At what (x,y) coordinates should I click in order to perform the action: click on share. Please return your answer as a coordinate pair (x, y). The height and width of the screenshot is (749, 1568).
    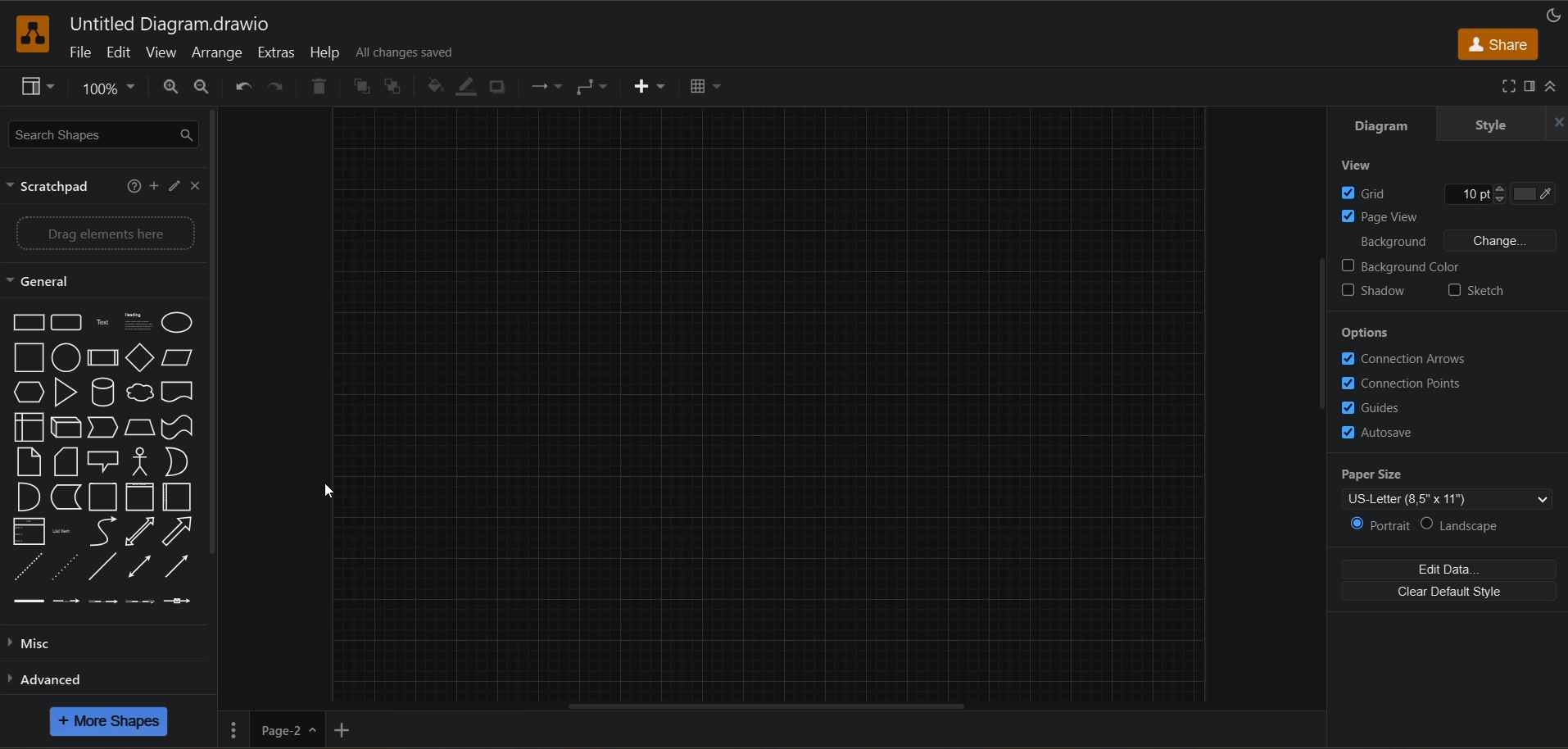
    Looking at the image, I should click on (1498, 45).